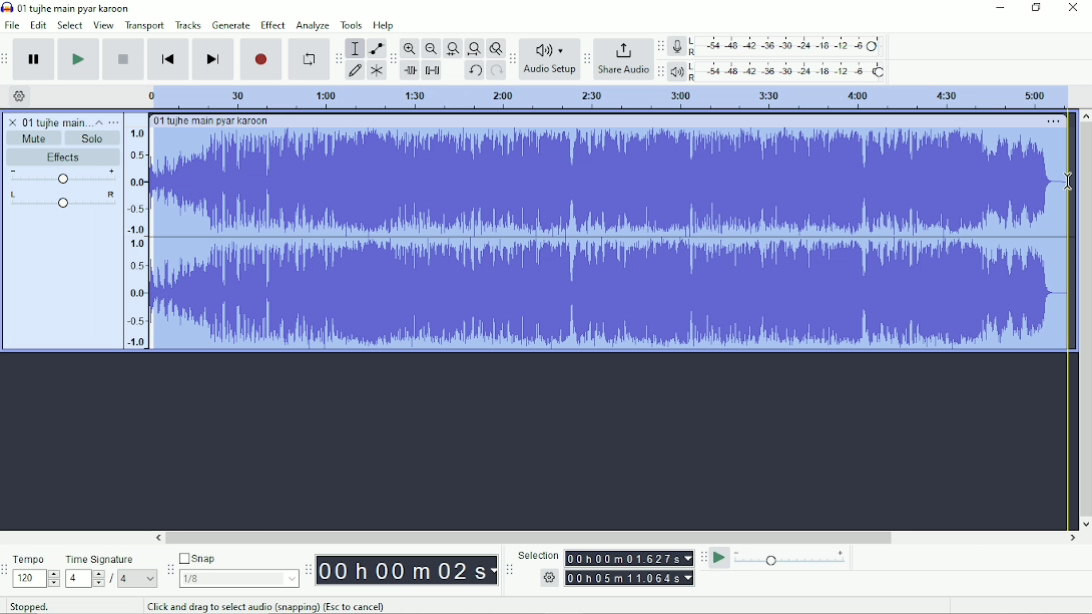 The image size is (1092, 614). Describe the element at coordinates (85, 579) in the screenshot. I see `4` at that location.